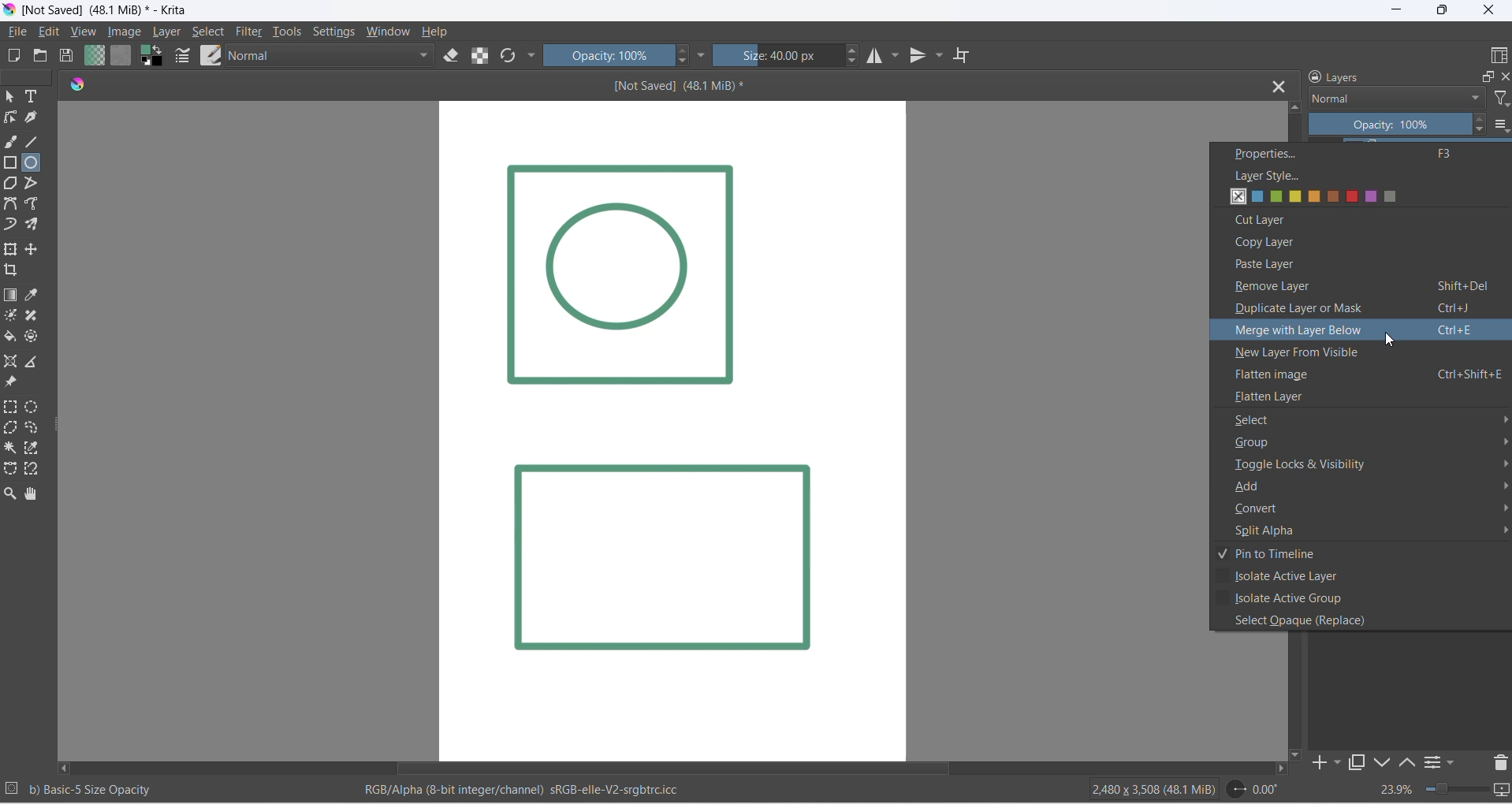 This screenshot has width=1512, height=804. Describe the element at coordinates (10, 408) in the screenshot. I see `rectangular selection tool` at that location.